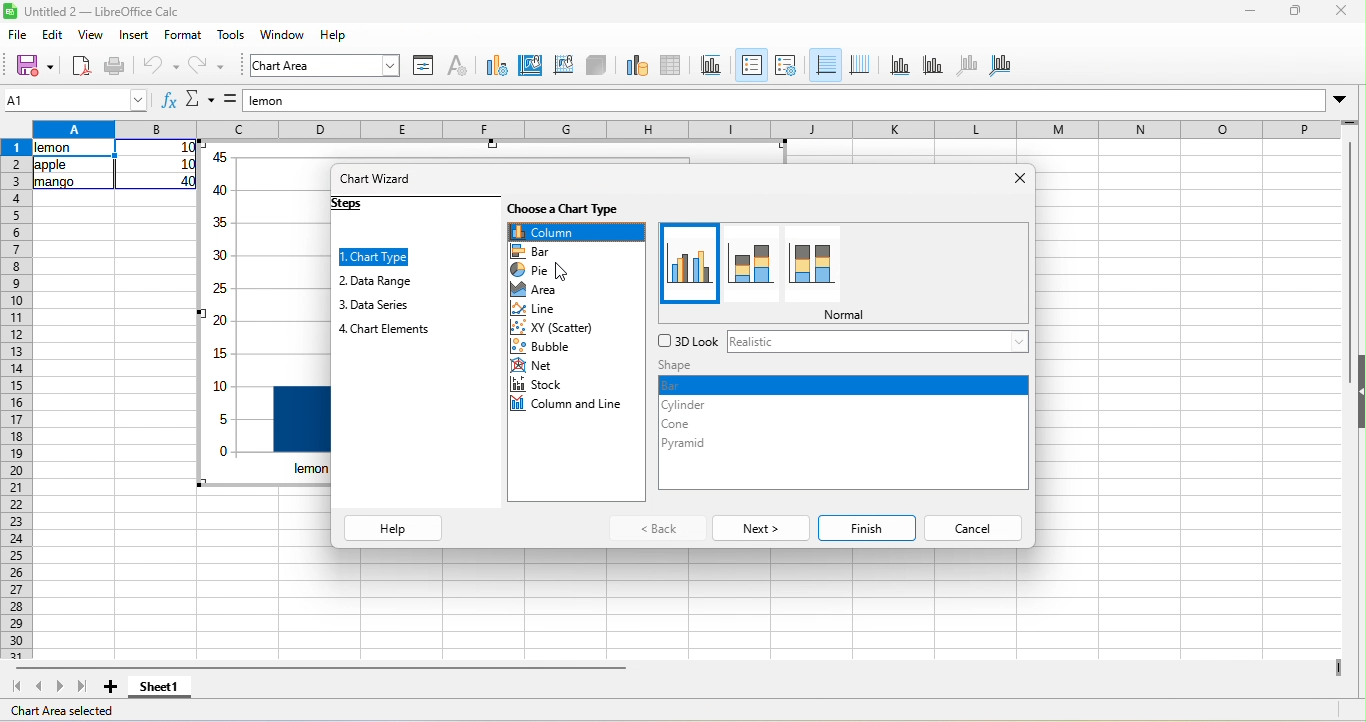 The image size is (1366, 722). Describe the element at coordinates (576, 232) in the screenshot. I see `column` at that location.